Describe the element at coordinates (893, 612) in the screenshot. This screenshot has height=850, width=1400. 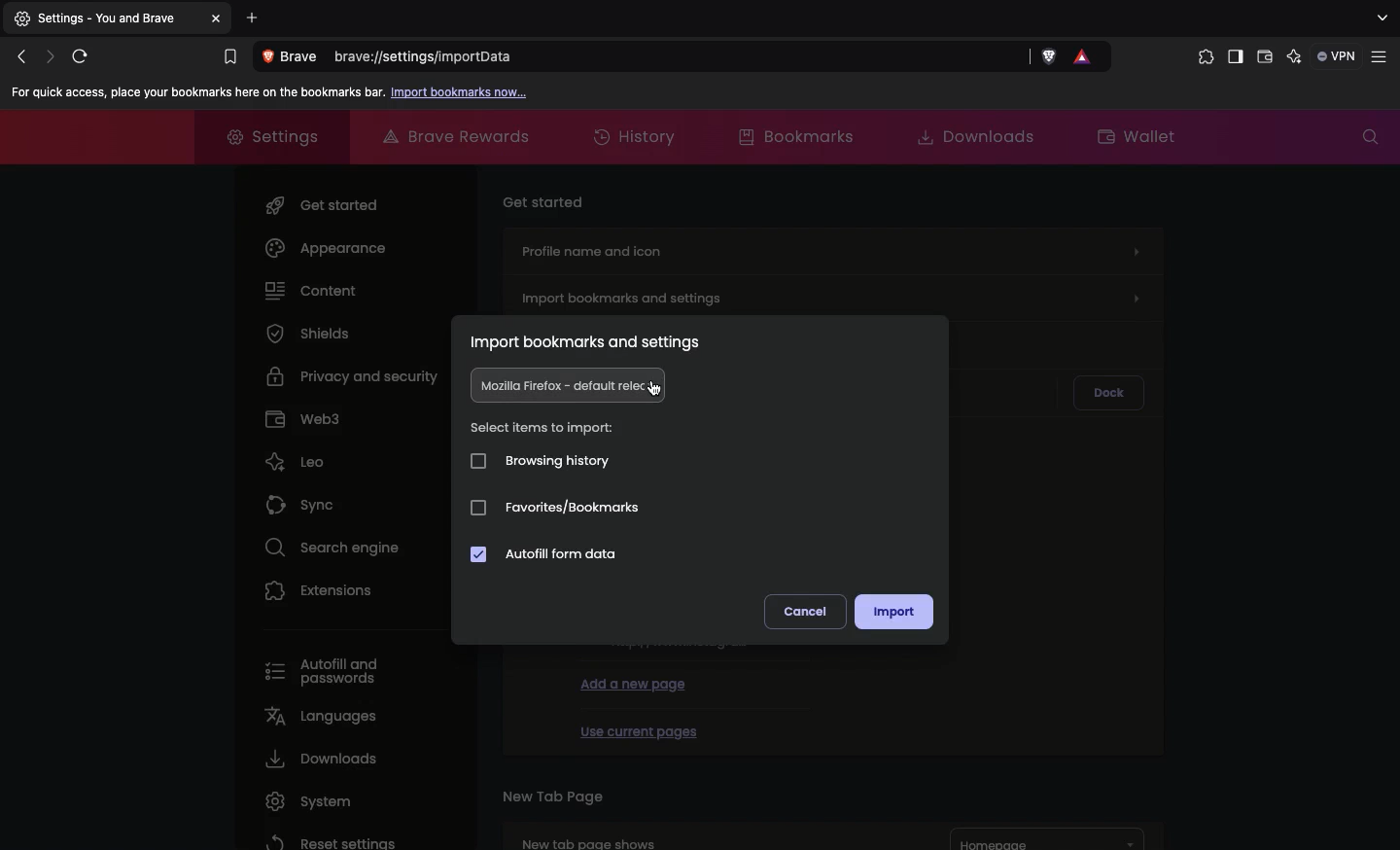
I see `Import` at that location.